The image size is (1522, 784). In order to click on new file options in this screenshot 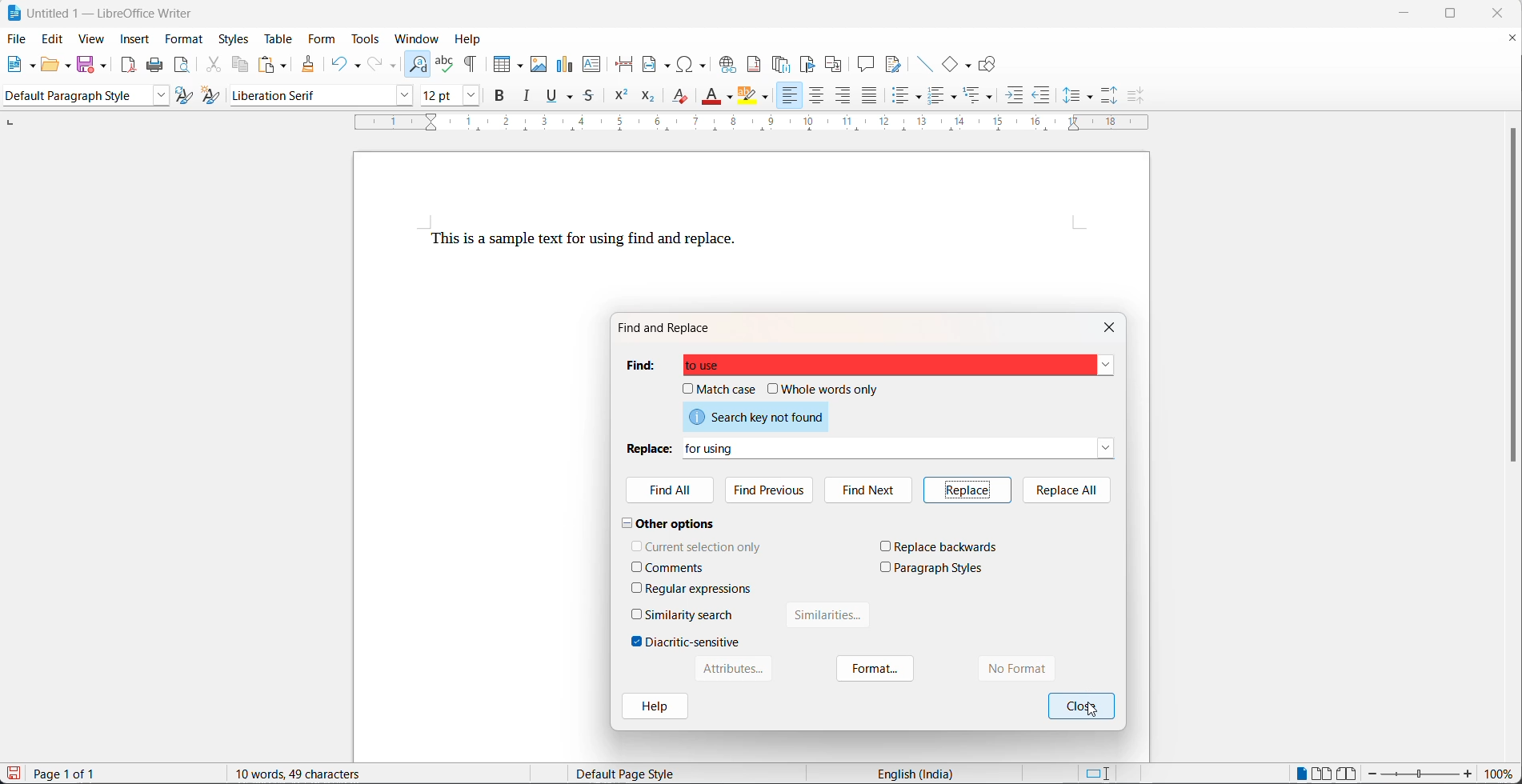, I will do `click(34, 66)`.